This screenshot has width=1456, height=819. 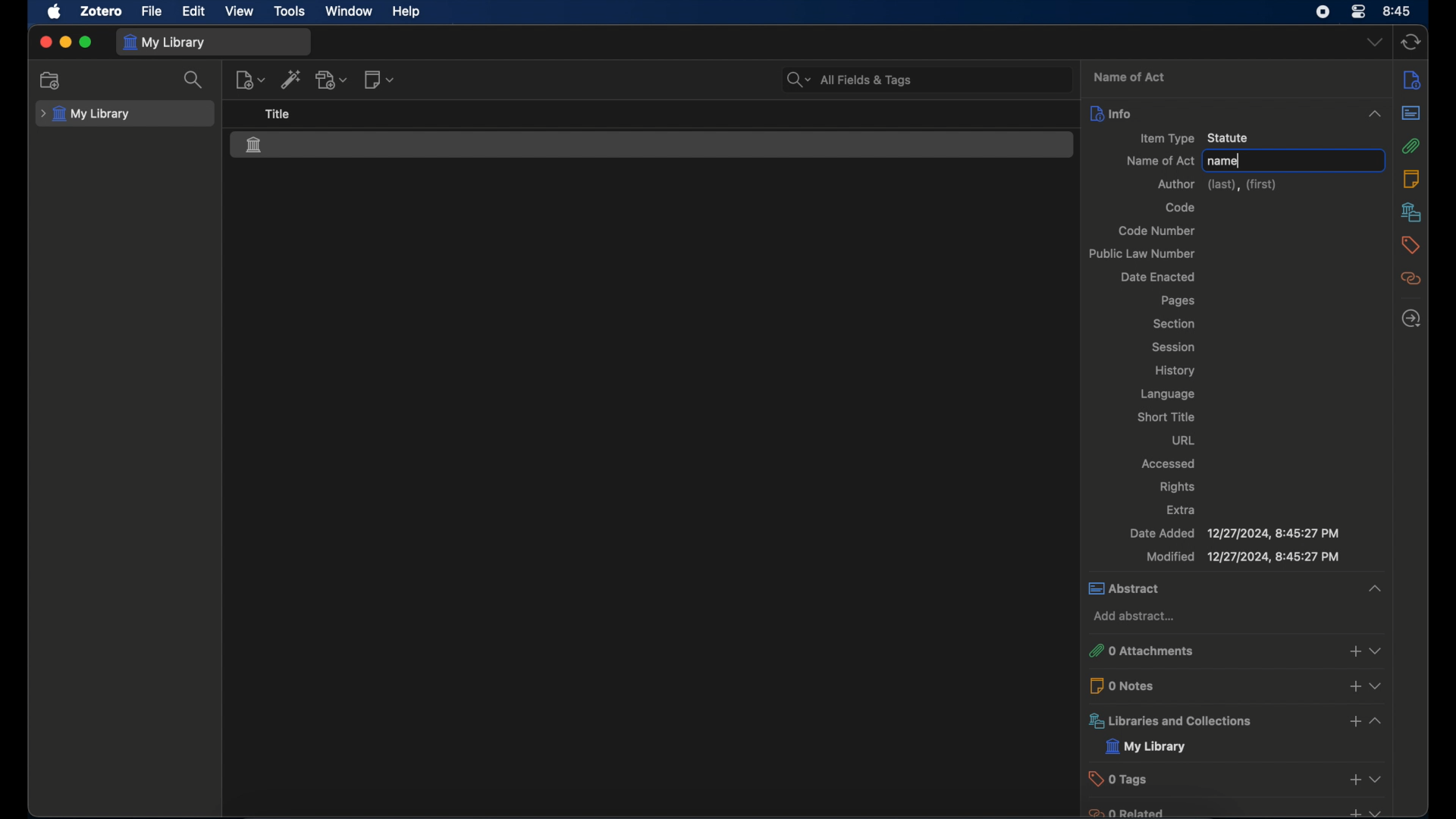 What do you see at coordinates (350, 11) in the screenshot?
I see `window` at bounding box center [350, 11].